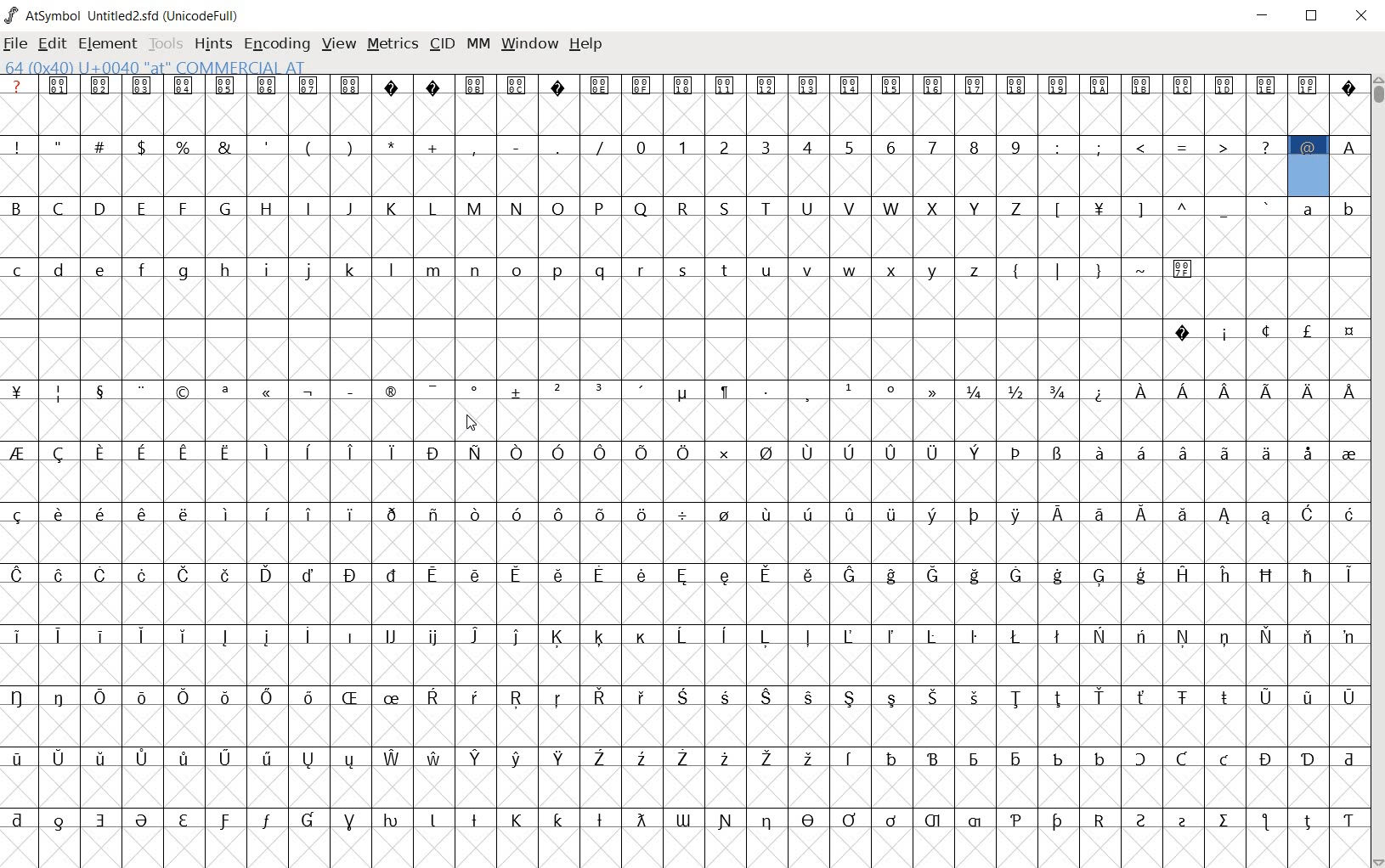 The image size is (1385, 868). Describe the element at coordinates (1104, 268) in the screenshot. I see `symbols` at that location.